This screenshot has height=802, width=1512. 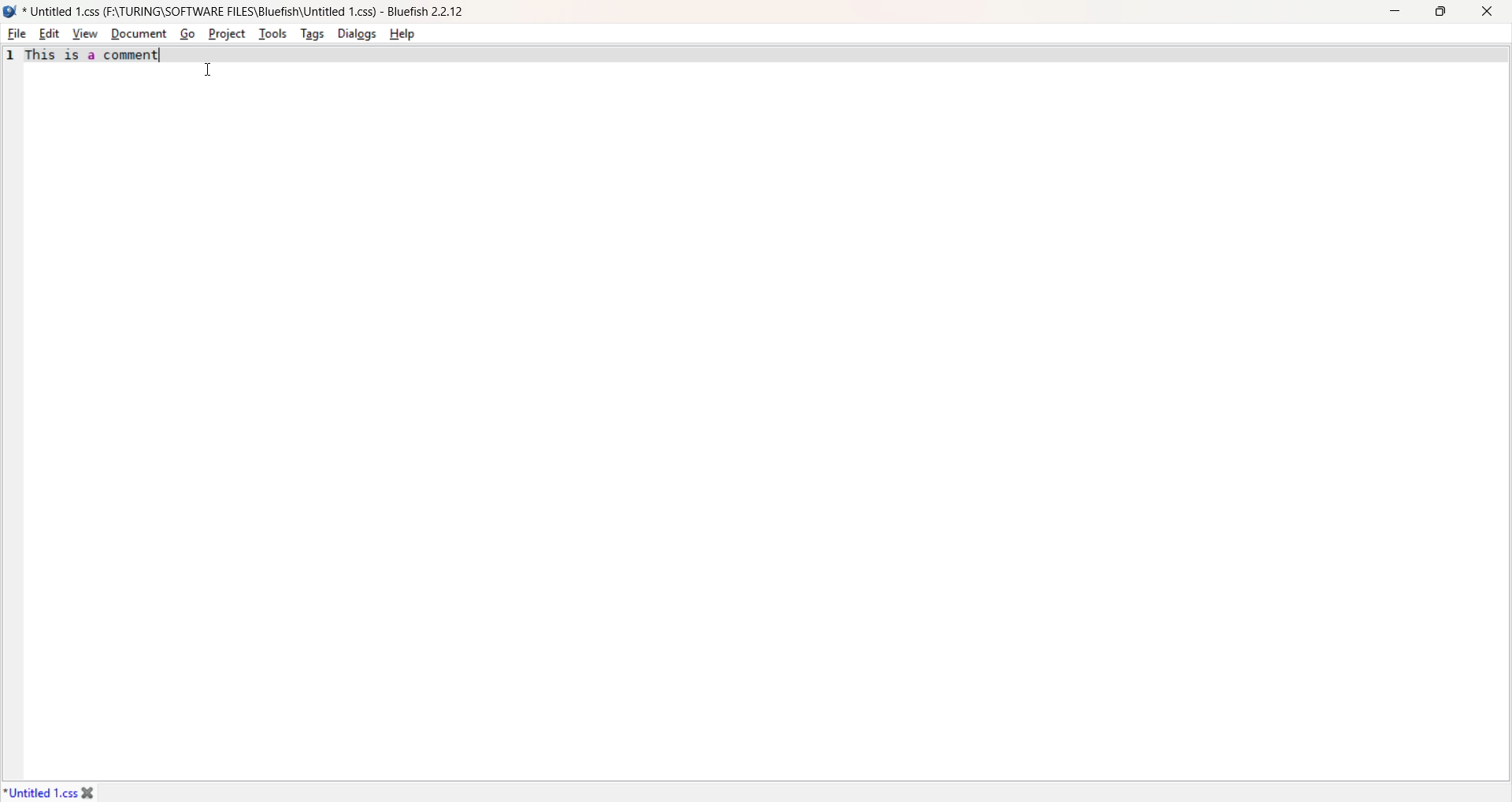 I want to click on Tags, so click(x=314, y=33).